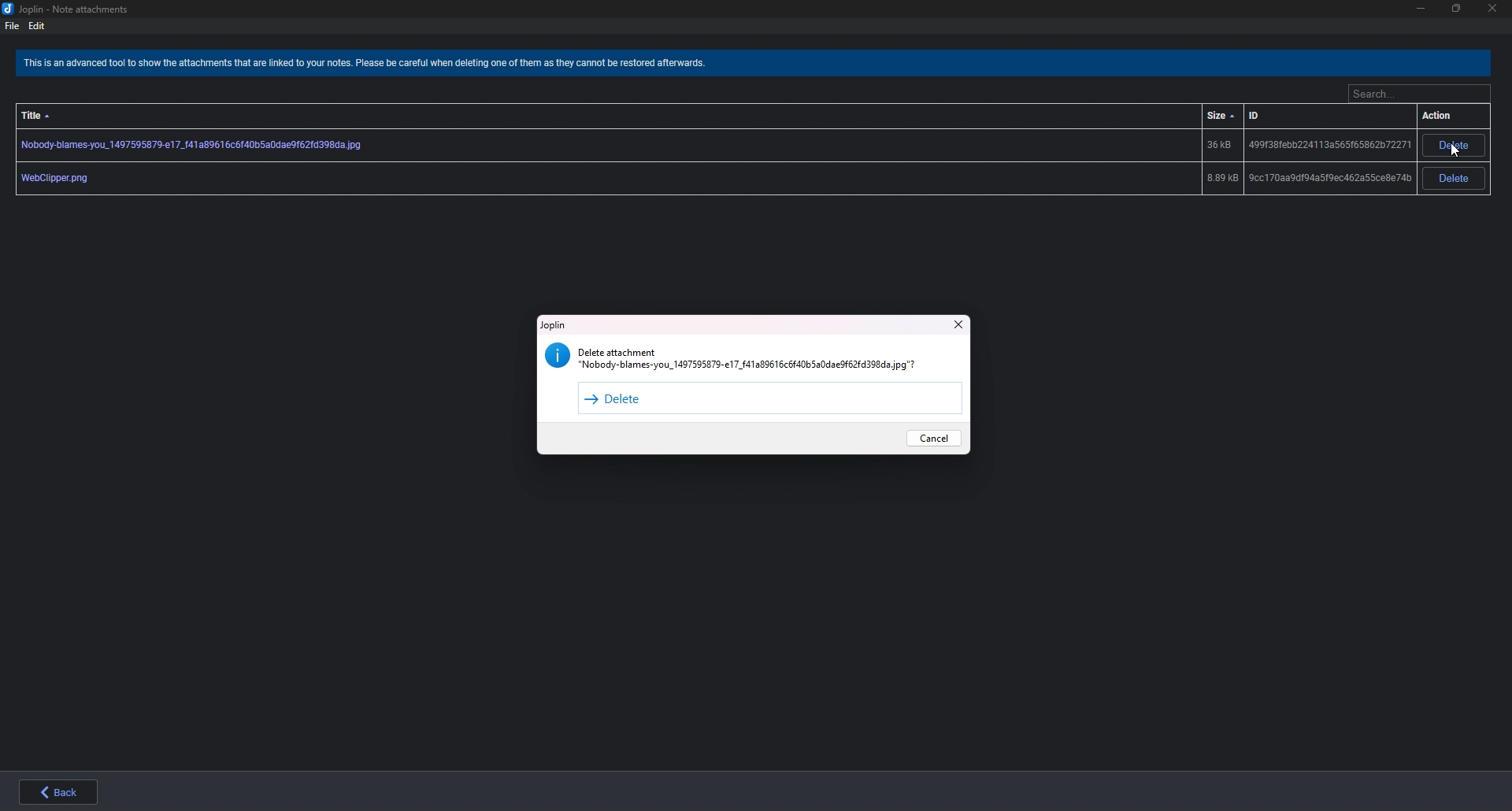  I want to click on Delete, so click(1455, 146).